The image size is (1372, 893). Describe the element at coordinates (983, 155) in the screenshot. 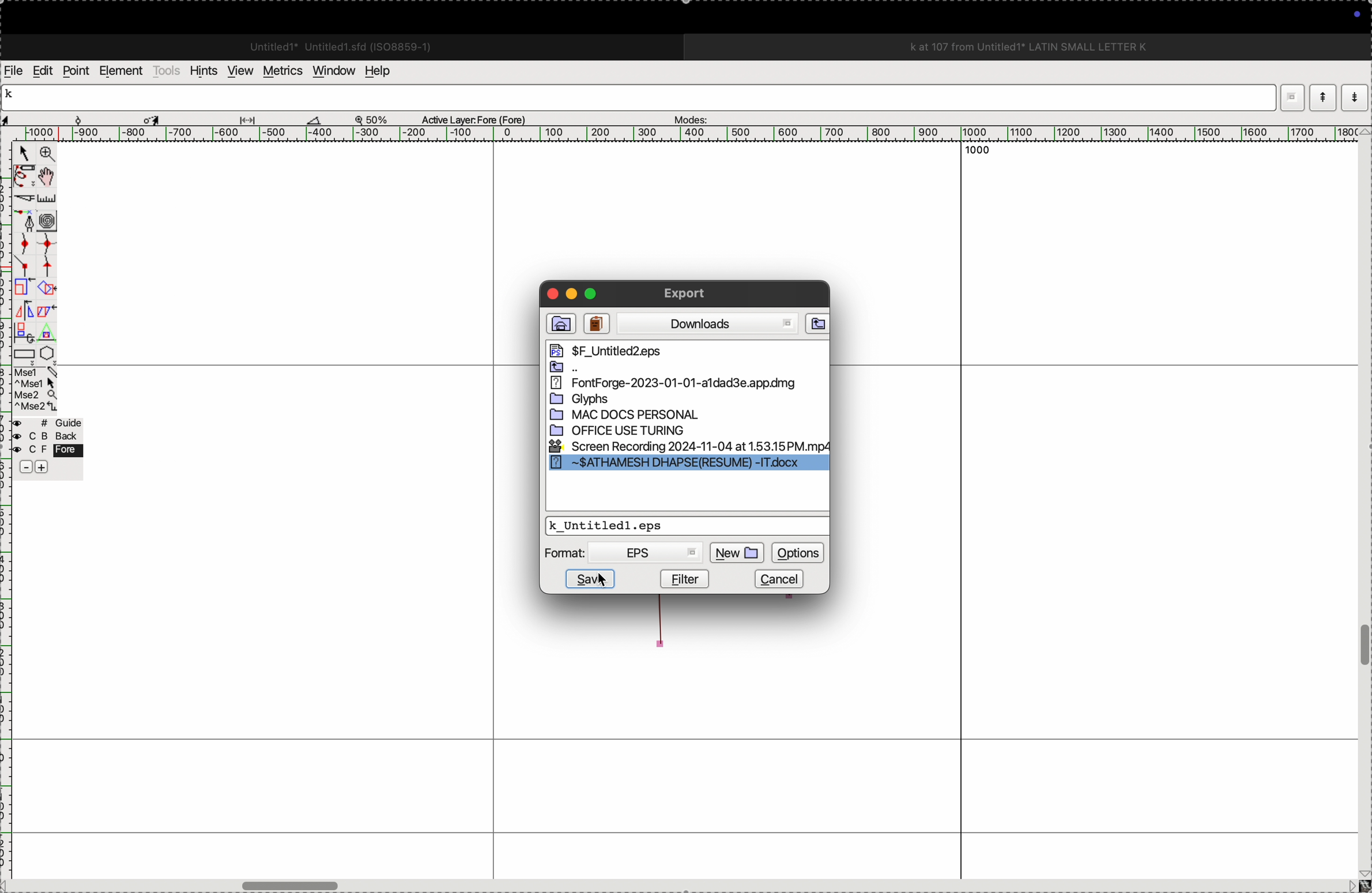

I see `1000` at that location.